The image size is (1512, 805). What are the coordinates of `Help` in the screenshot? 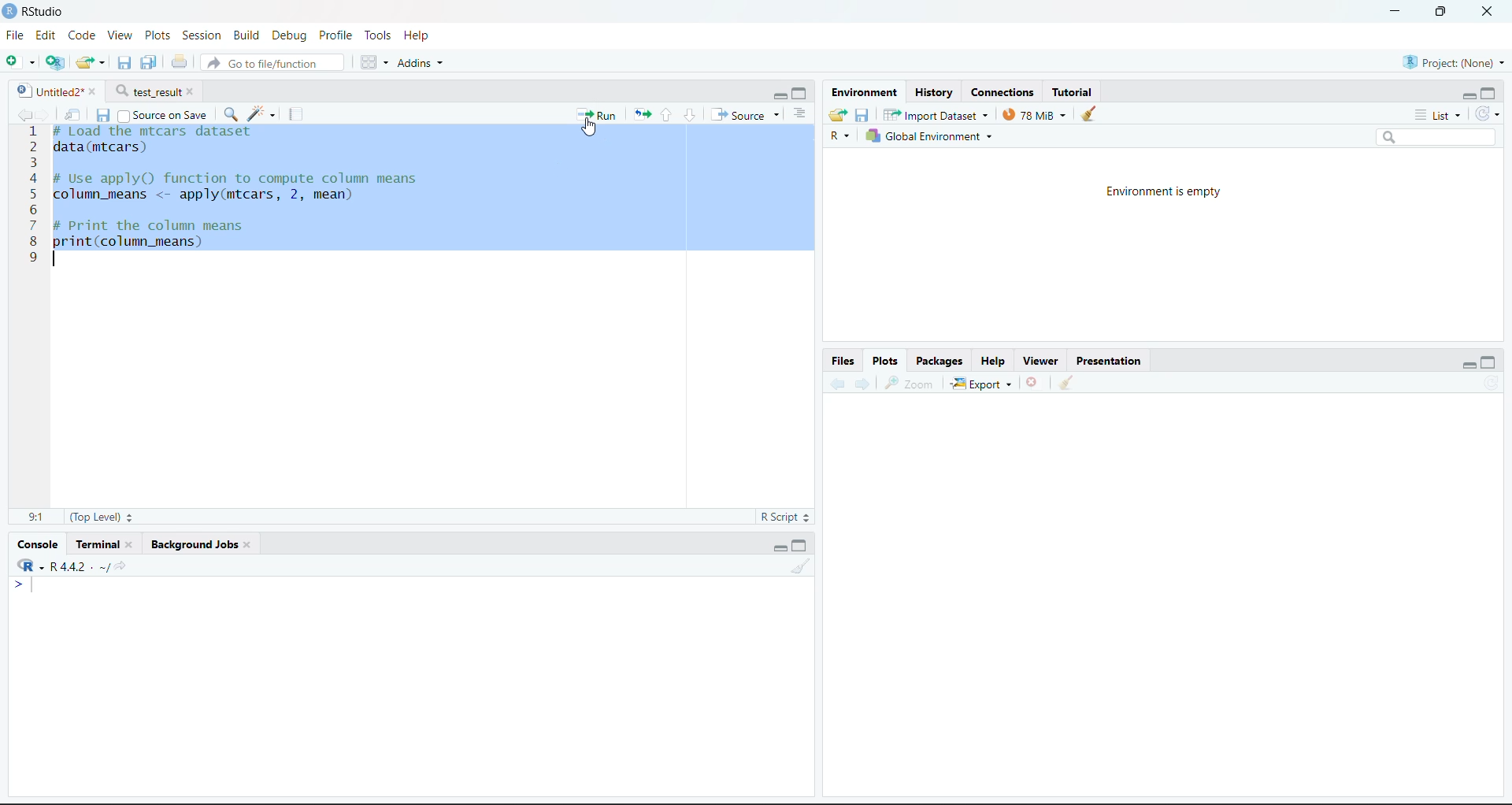 It's located at (994, 359).